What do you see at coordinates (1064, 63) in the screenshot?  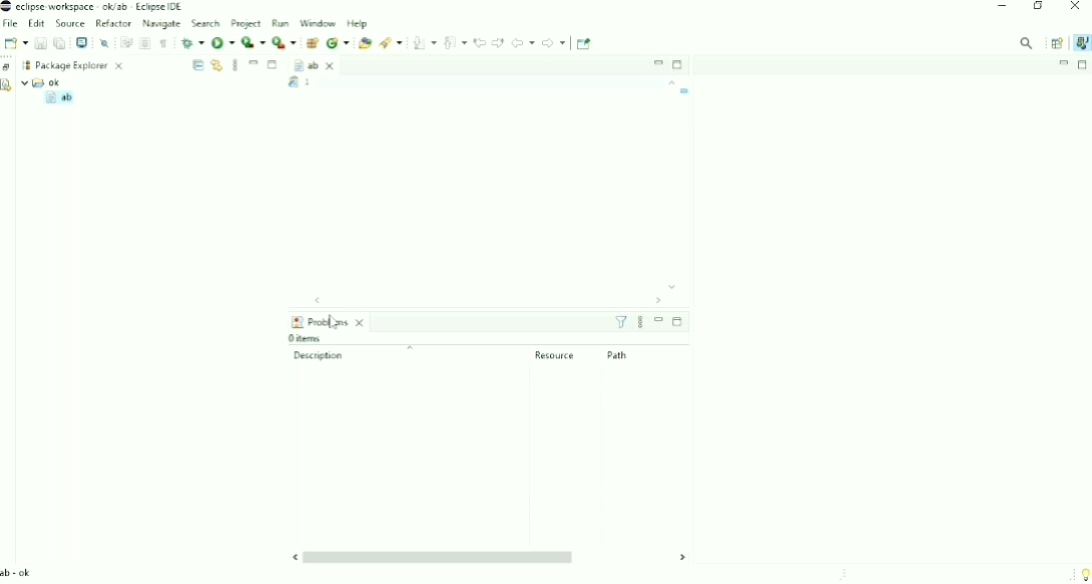 I see `Minimize` at bounding box center [1064, 63].